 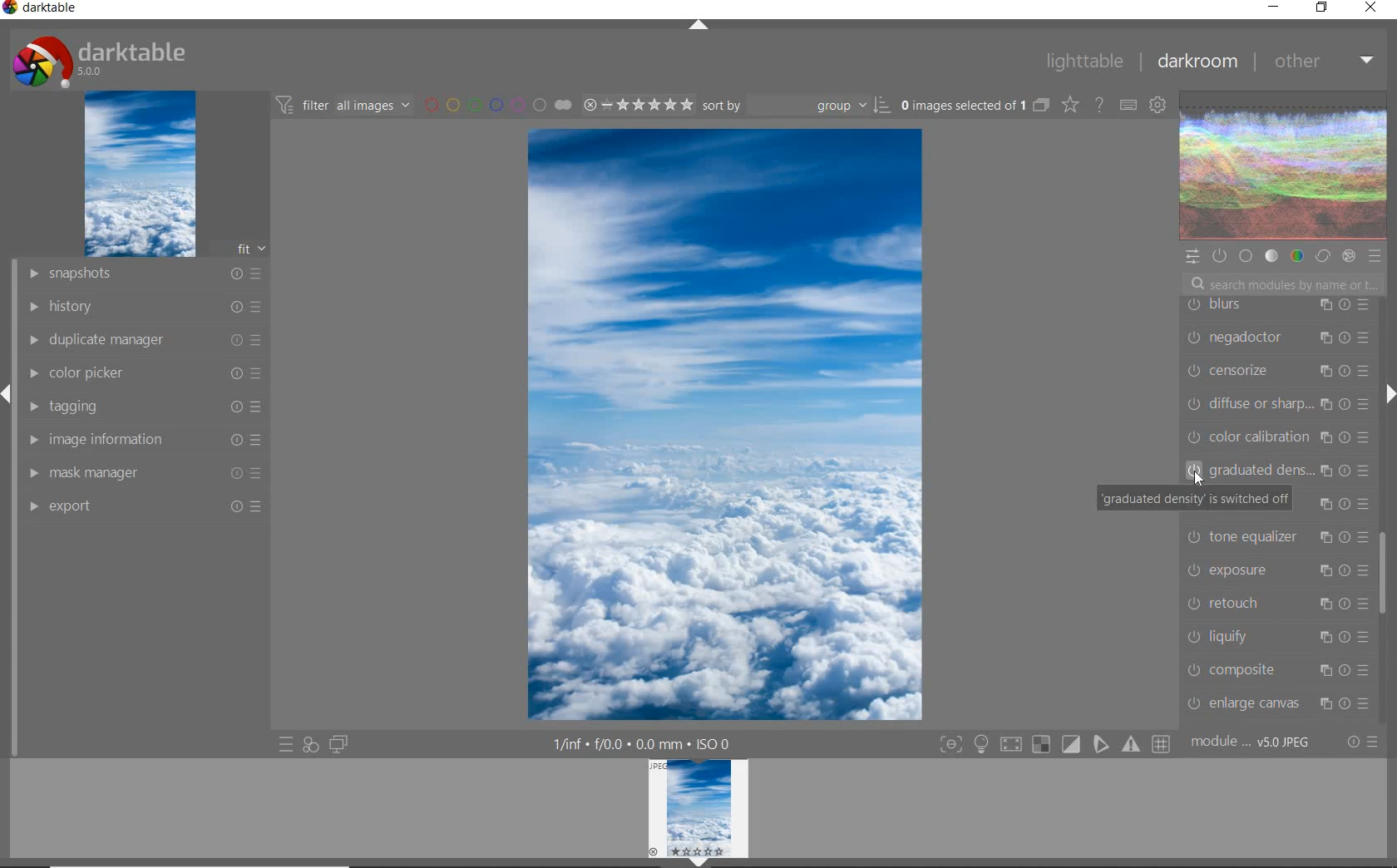 What do you see at coordinates (635, 102) in the screenshot?
I see `SELECTED IMAGE RANGE RATING` at bounding box center [635, 102].